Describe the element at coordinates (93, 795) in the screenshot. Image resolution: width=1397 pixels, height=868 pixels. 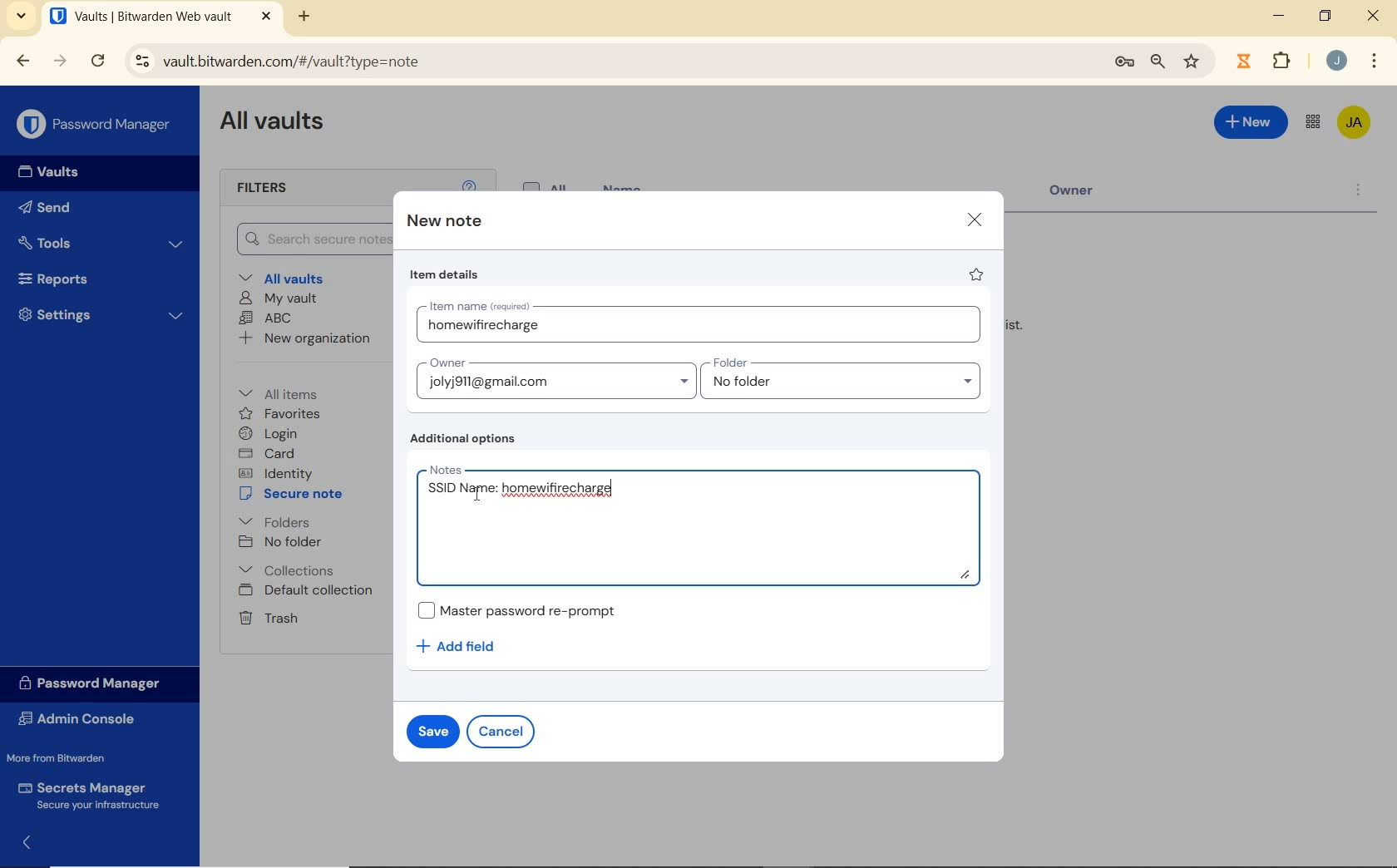
I see `Secrets Manager` at that location.